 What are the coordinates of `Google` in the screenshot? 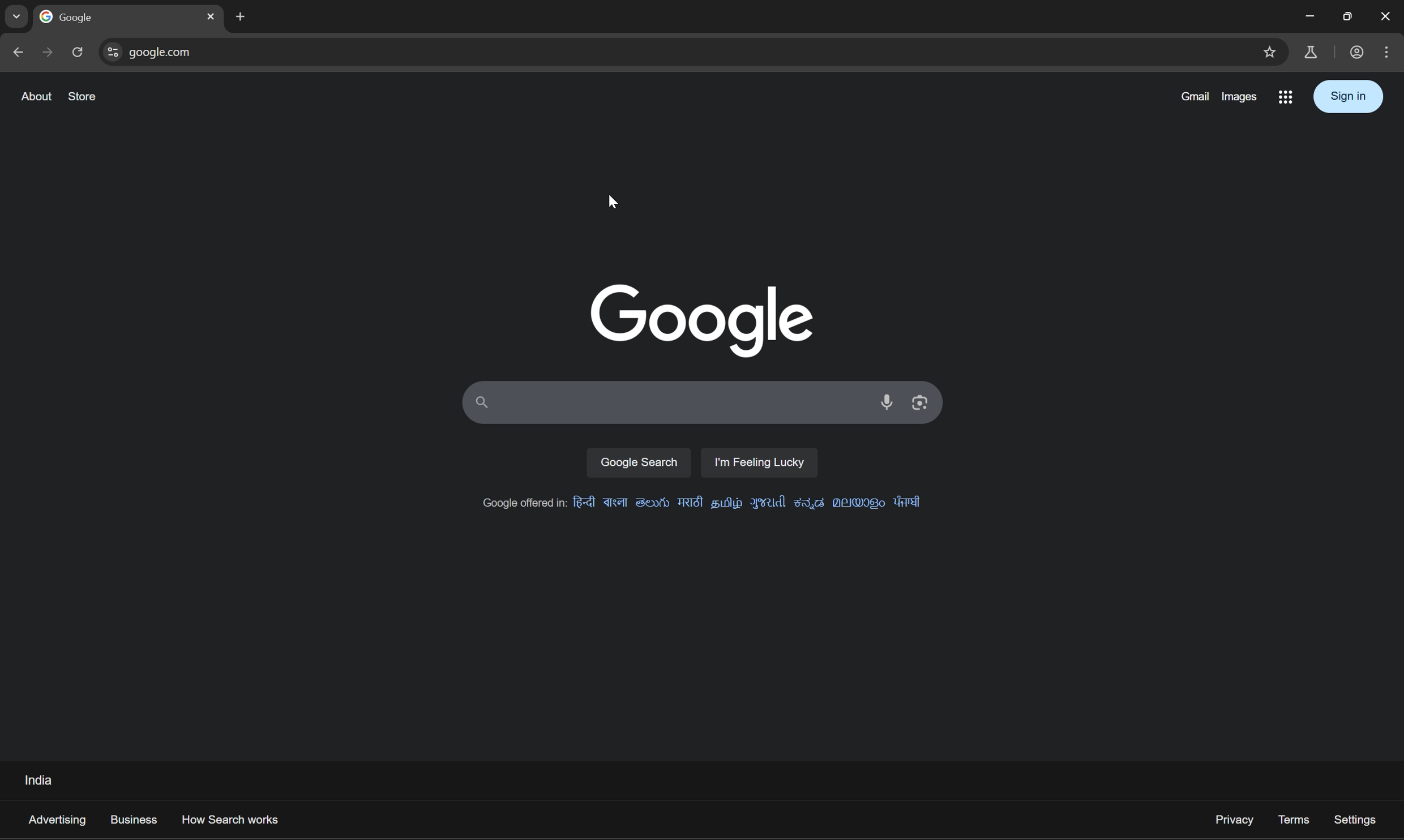 It's located at (697, 319).